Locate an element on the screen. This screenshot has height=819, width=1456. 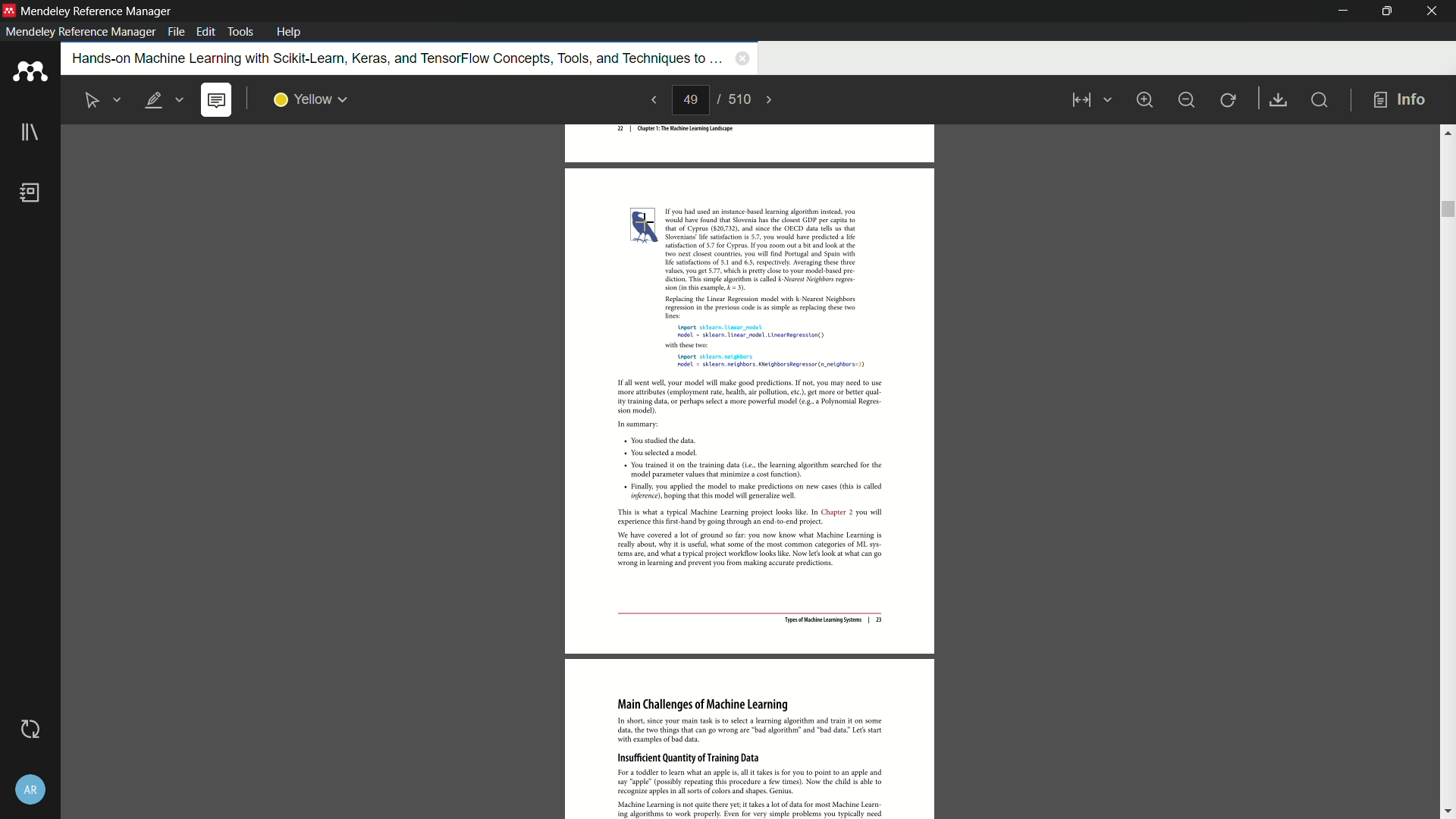
find is located at coordinates (1323, 102).